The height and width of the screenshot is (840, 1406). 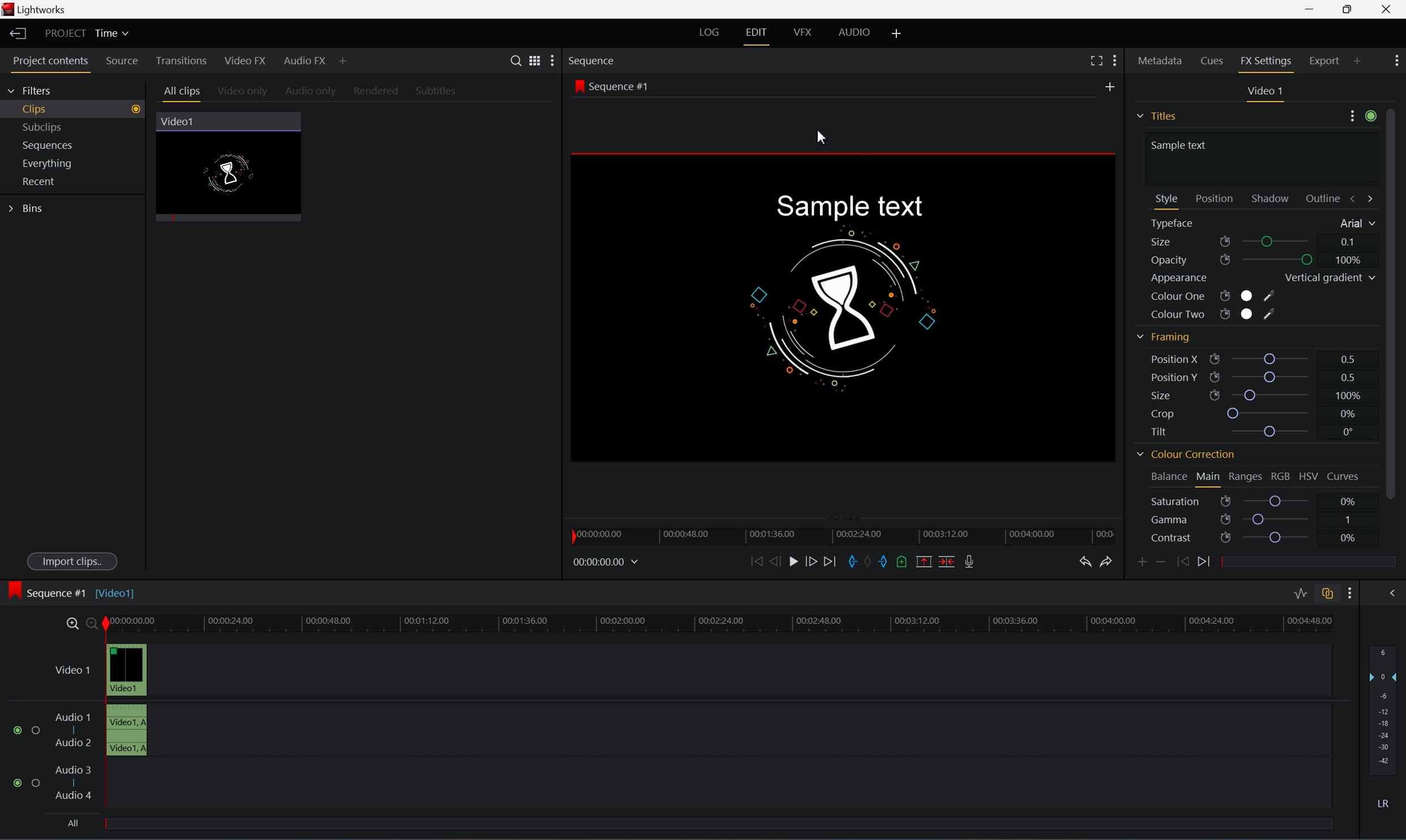 I want to click on slider, so click(x=1271, y=414).